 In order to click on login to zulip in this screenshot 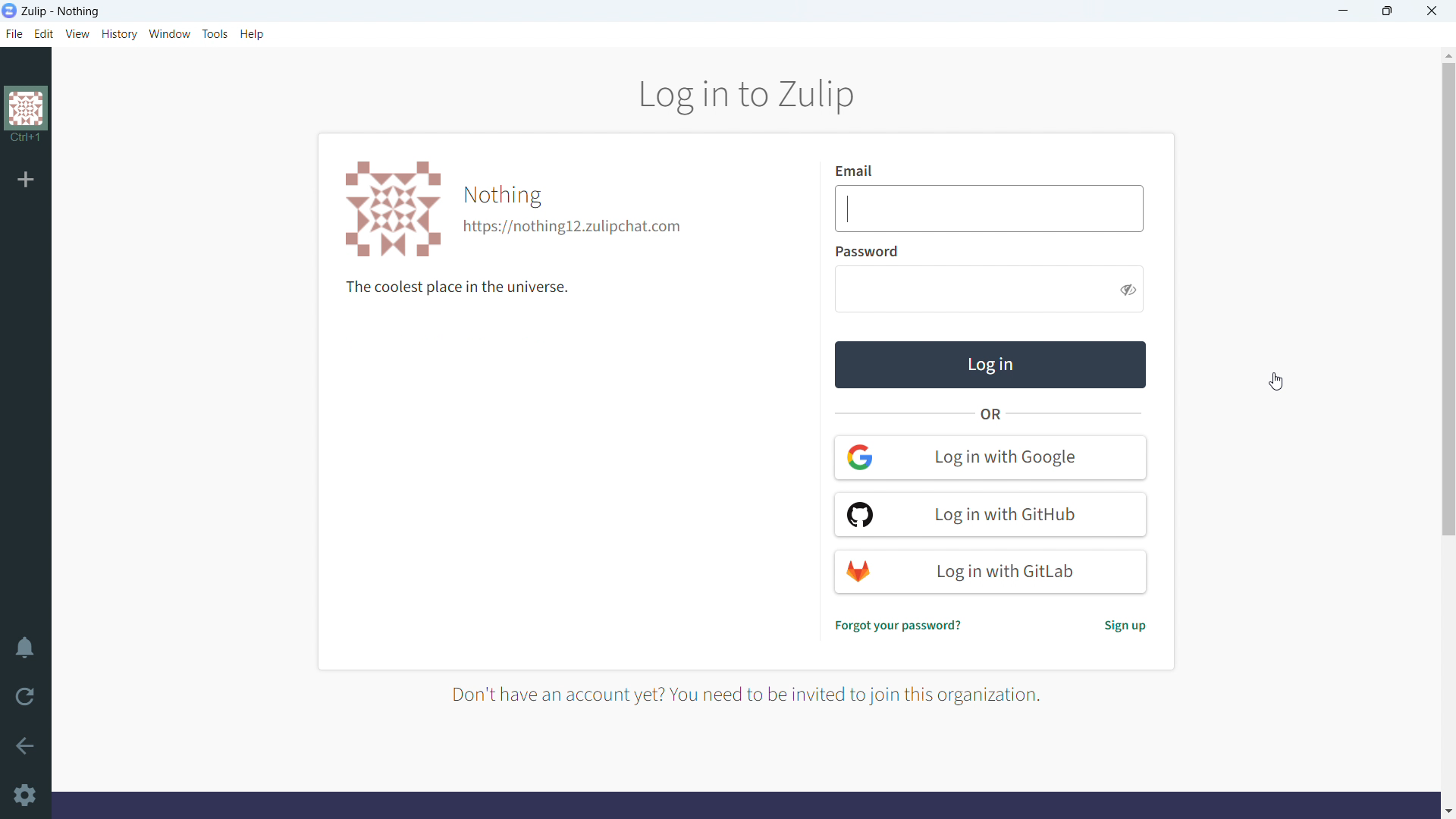, I will do `click(746, 95)`.